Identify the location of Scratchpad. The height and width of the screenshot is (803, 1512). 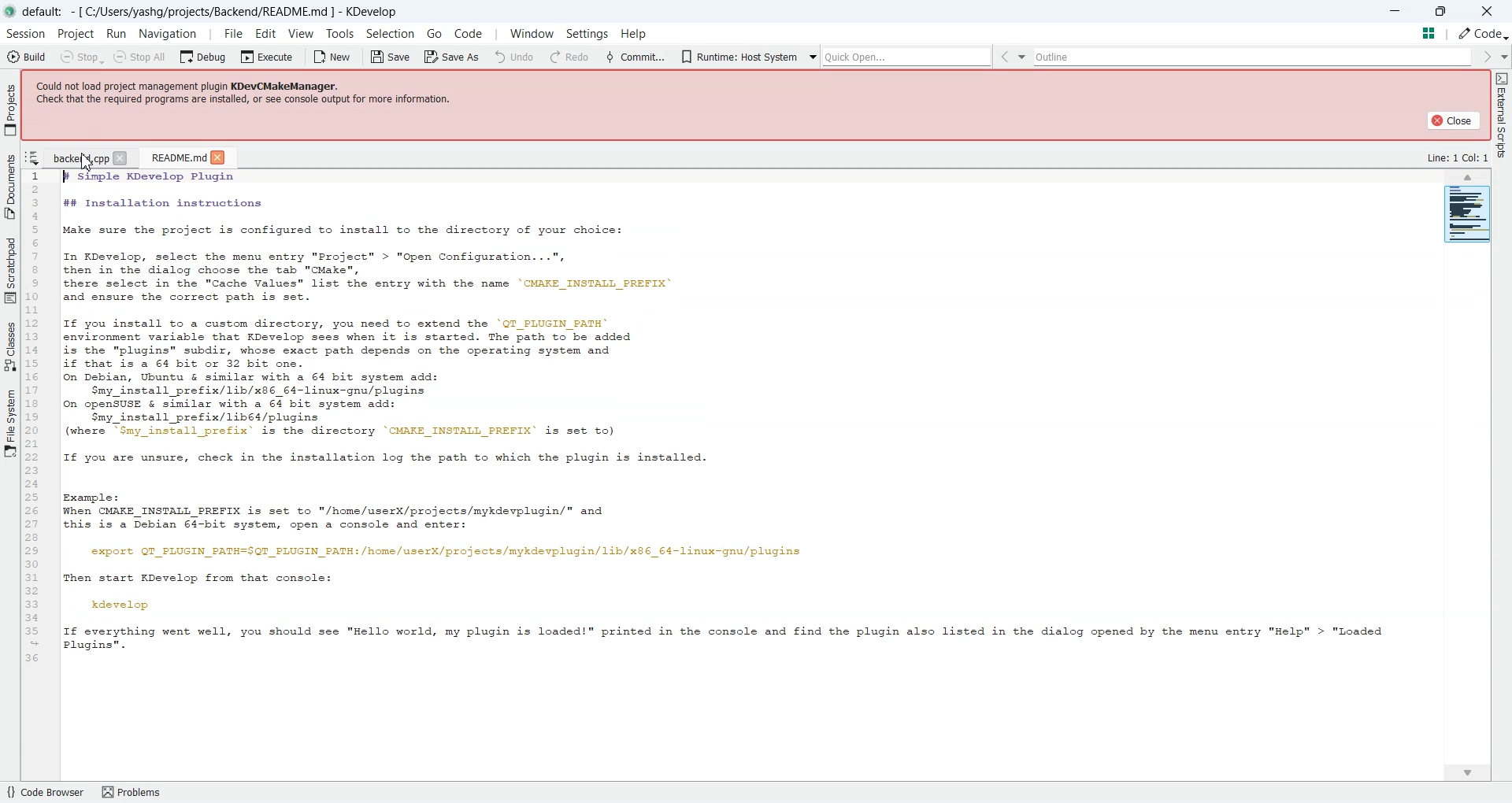
(10, 269).